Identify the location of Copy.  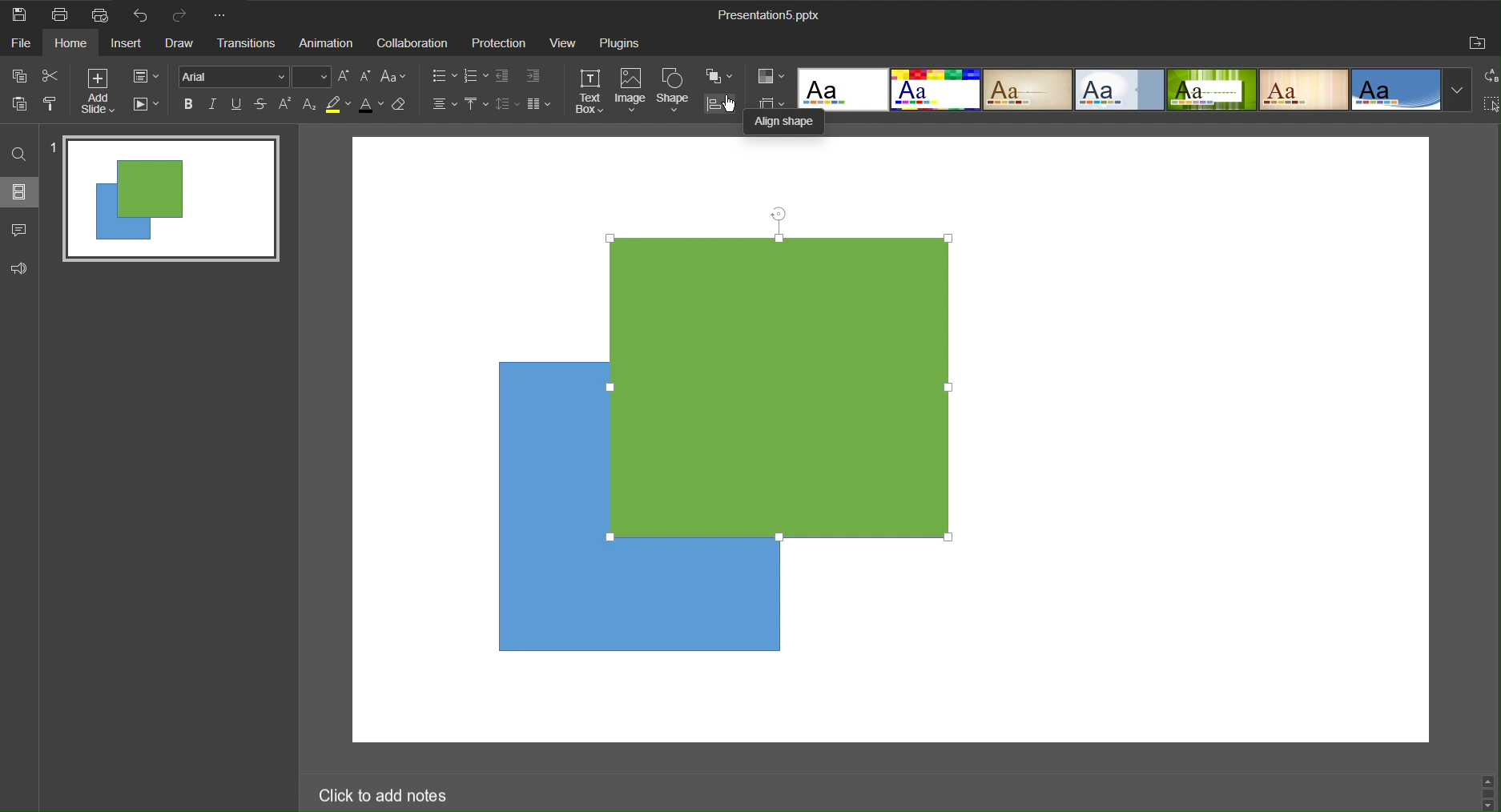
(17, 74).